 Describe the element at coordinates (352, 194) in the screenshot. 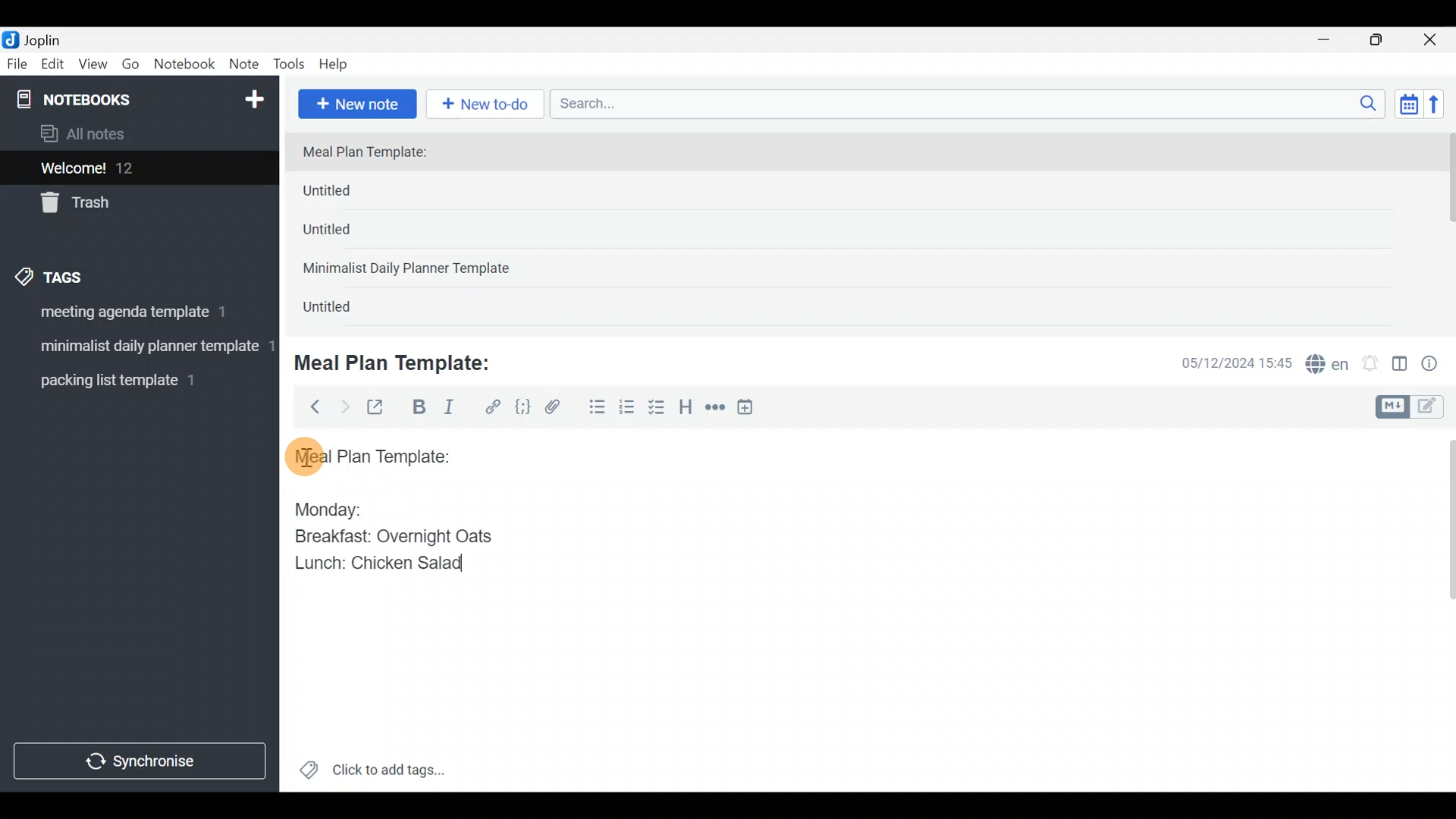

I see `Untitled` at that location.